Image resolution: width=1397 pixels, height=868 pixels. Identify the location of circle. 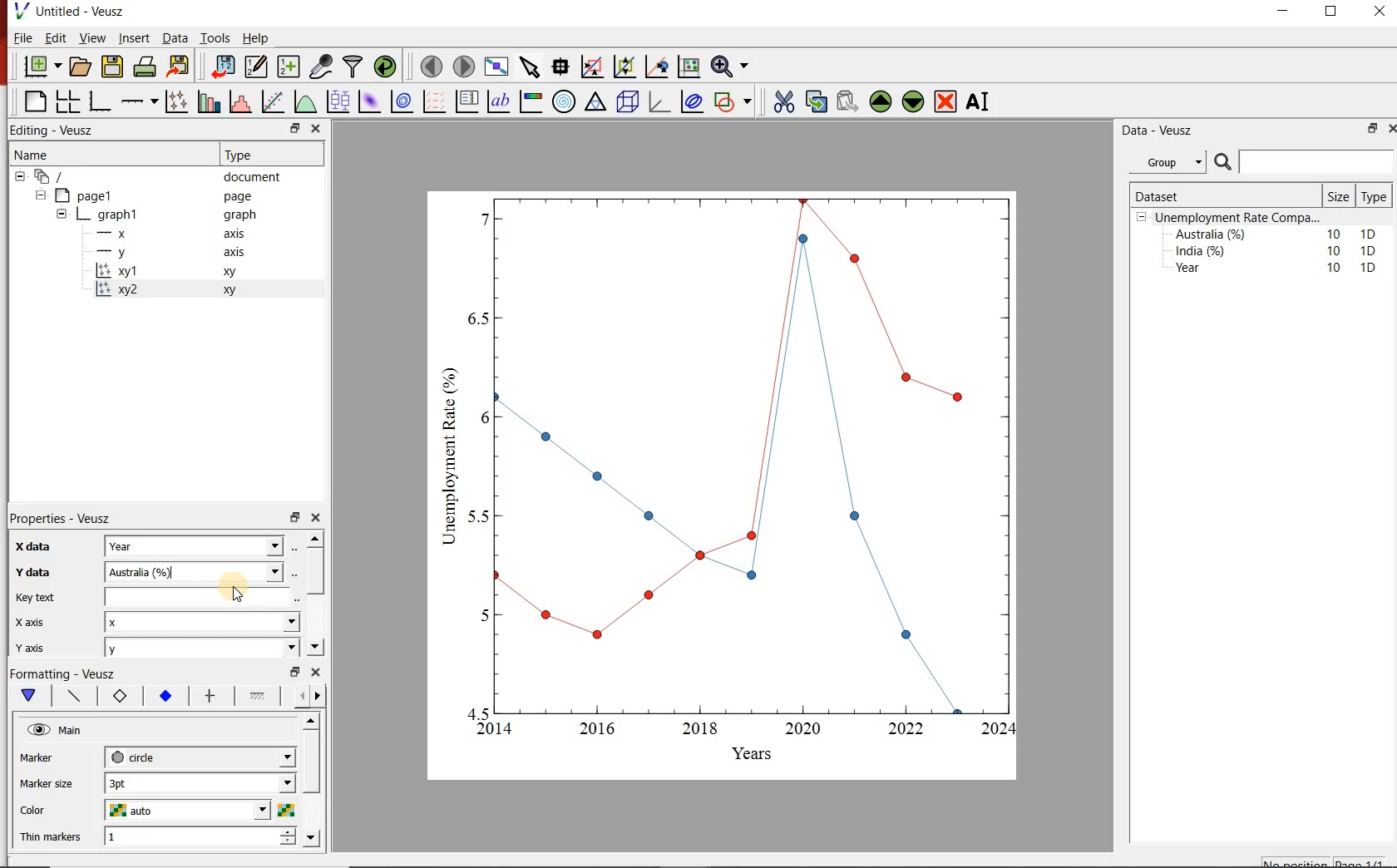
(198, 755).